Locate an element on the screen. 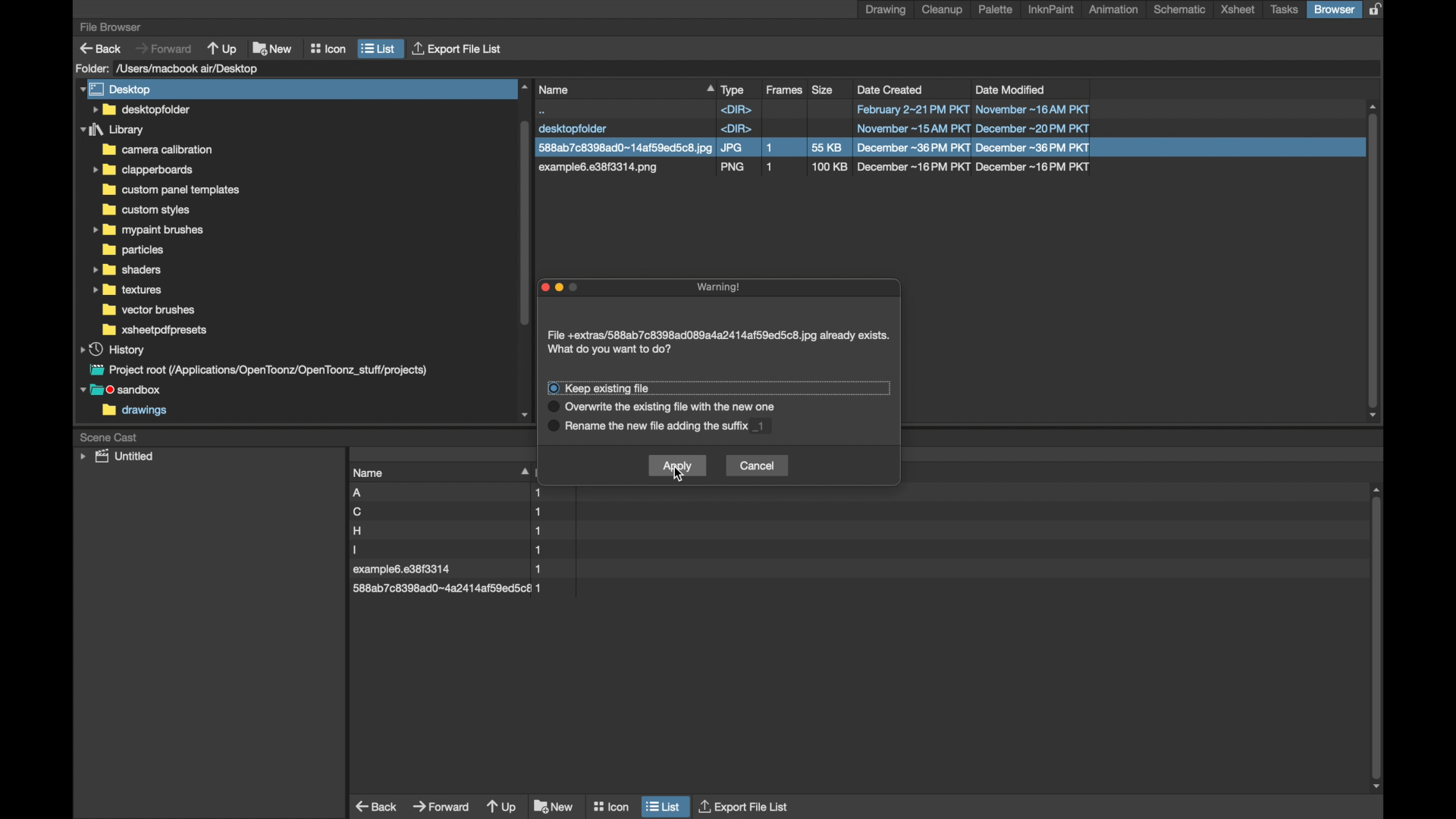  file is located at coordinates (813, 109).